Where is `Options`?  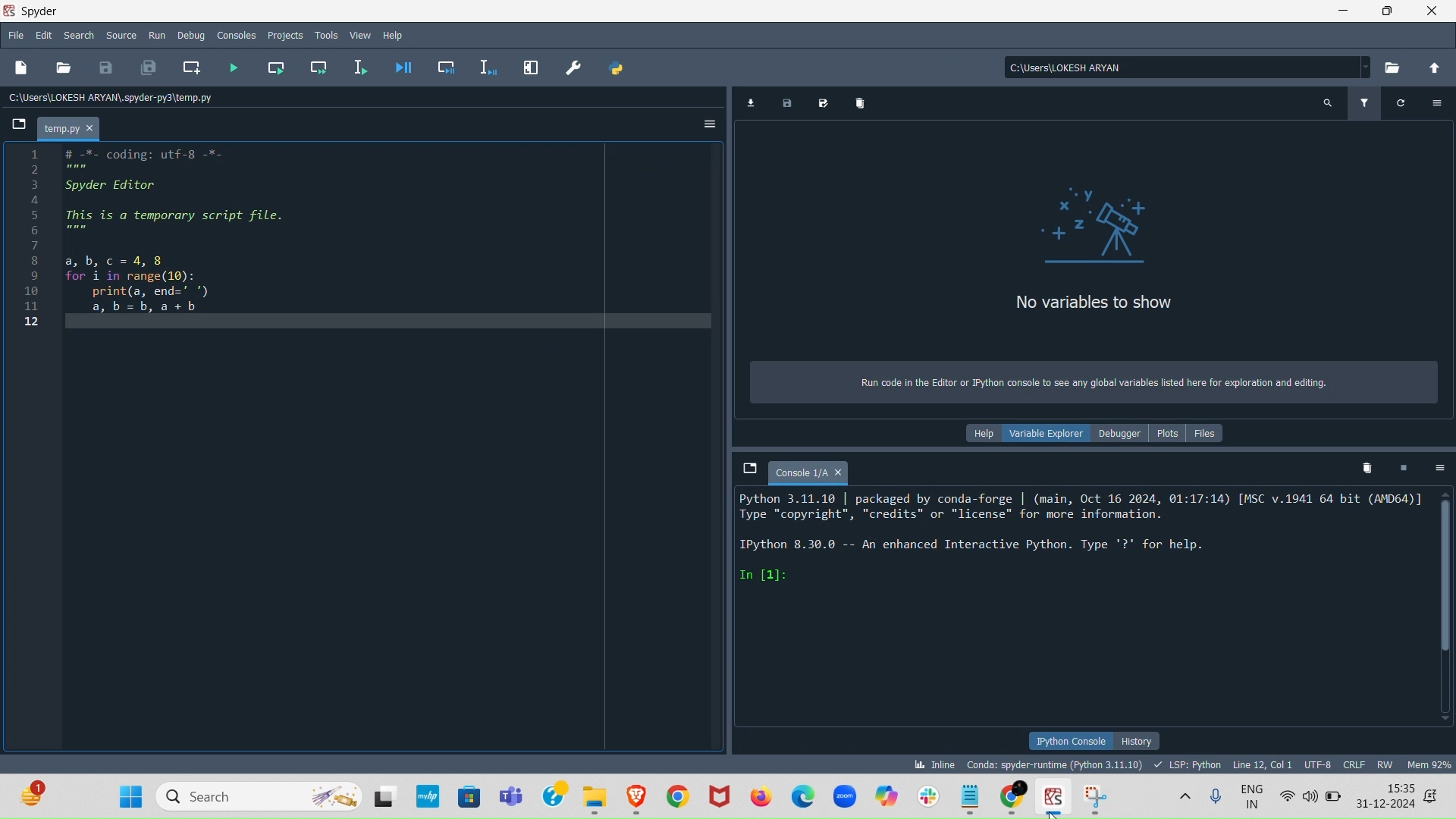
Options is located at coordinates (1439, 468).